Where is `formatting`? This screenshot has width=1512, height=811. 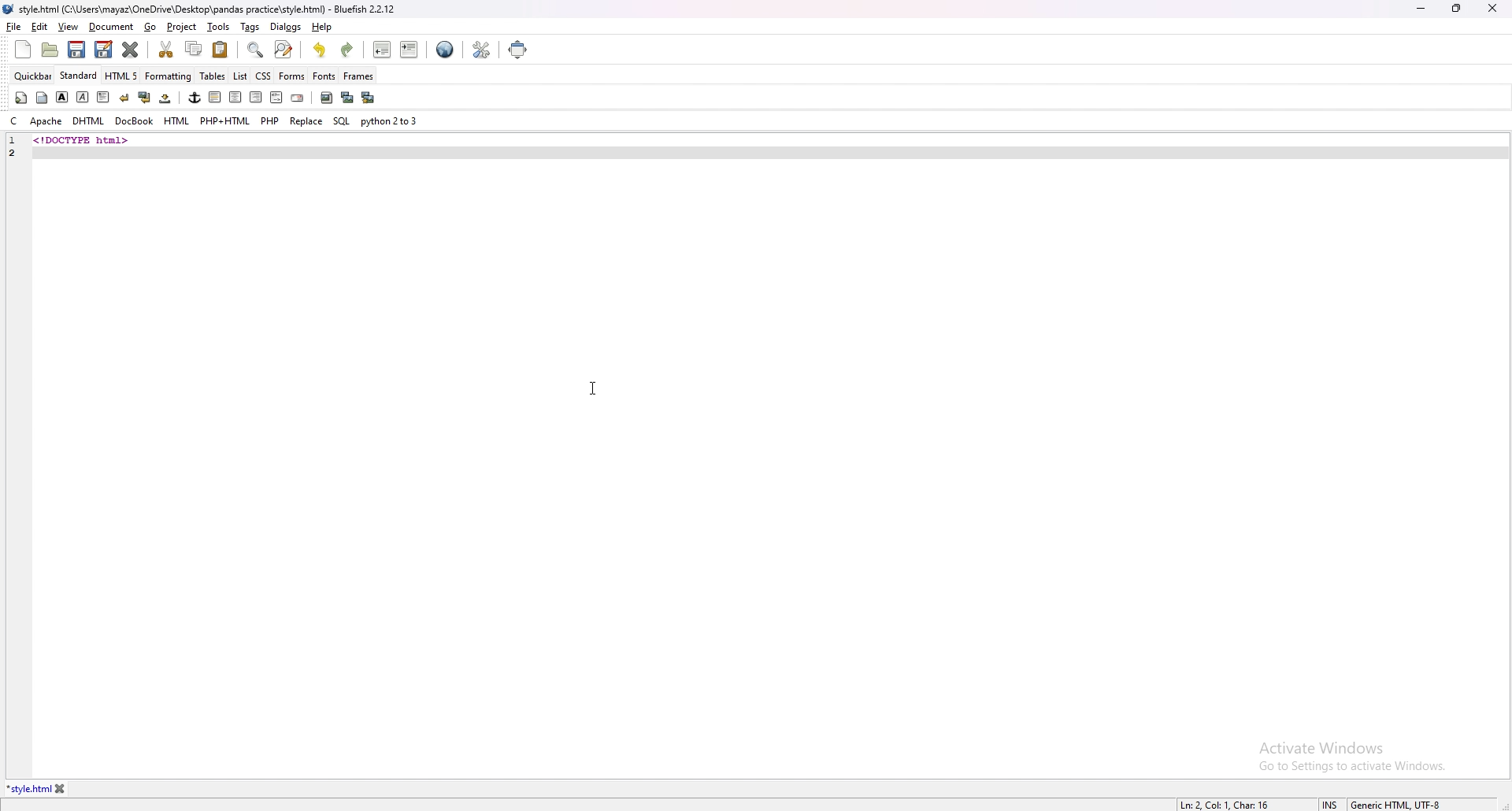
formatting is located at coordinates (169, 76).